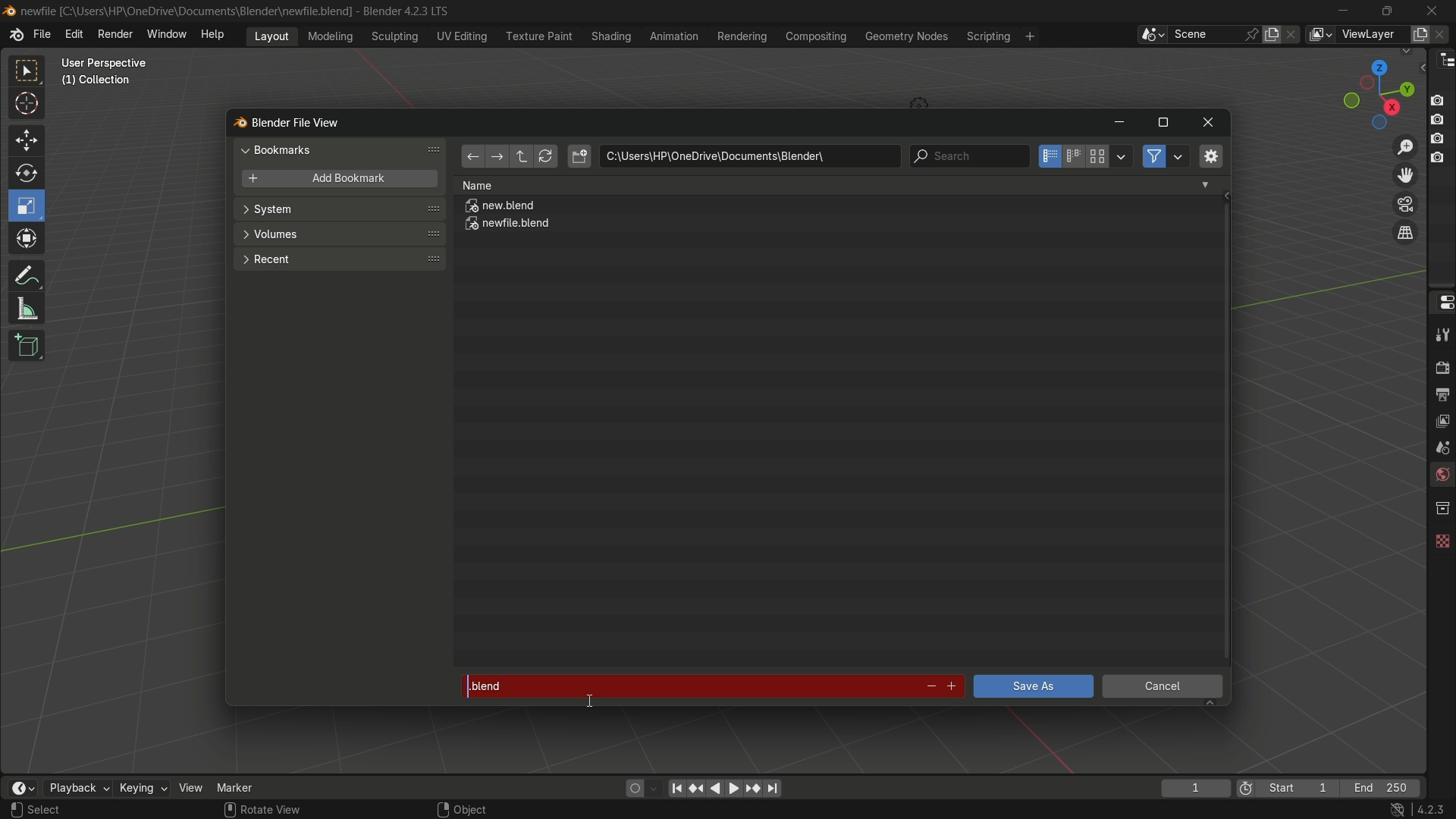 The height and width of the screenshot is (819, 1456). I want to click on texture, so click(1441, 538).